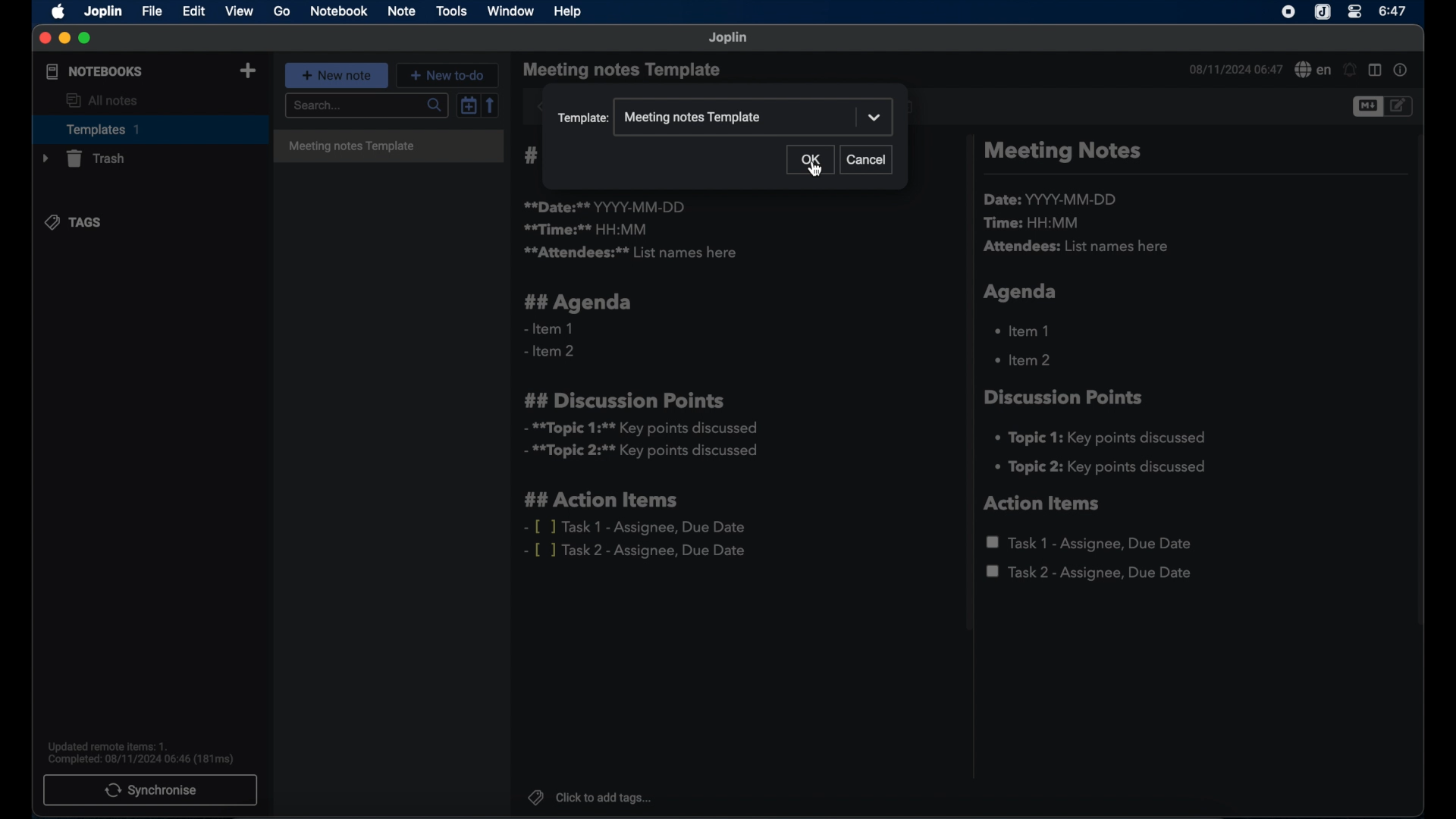 The height and width of the screenshot is (819, 1456). I want to click on close, so click(45, 39).